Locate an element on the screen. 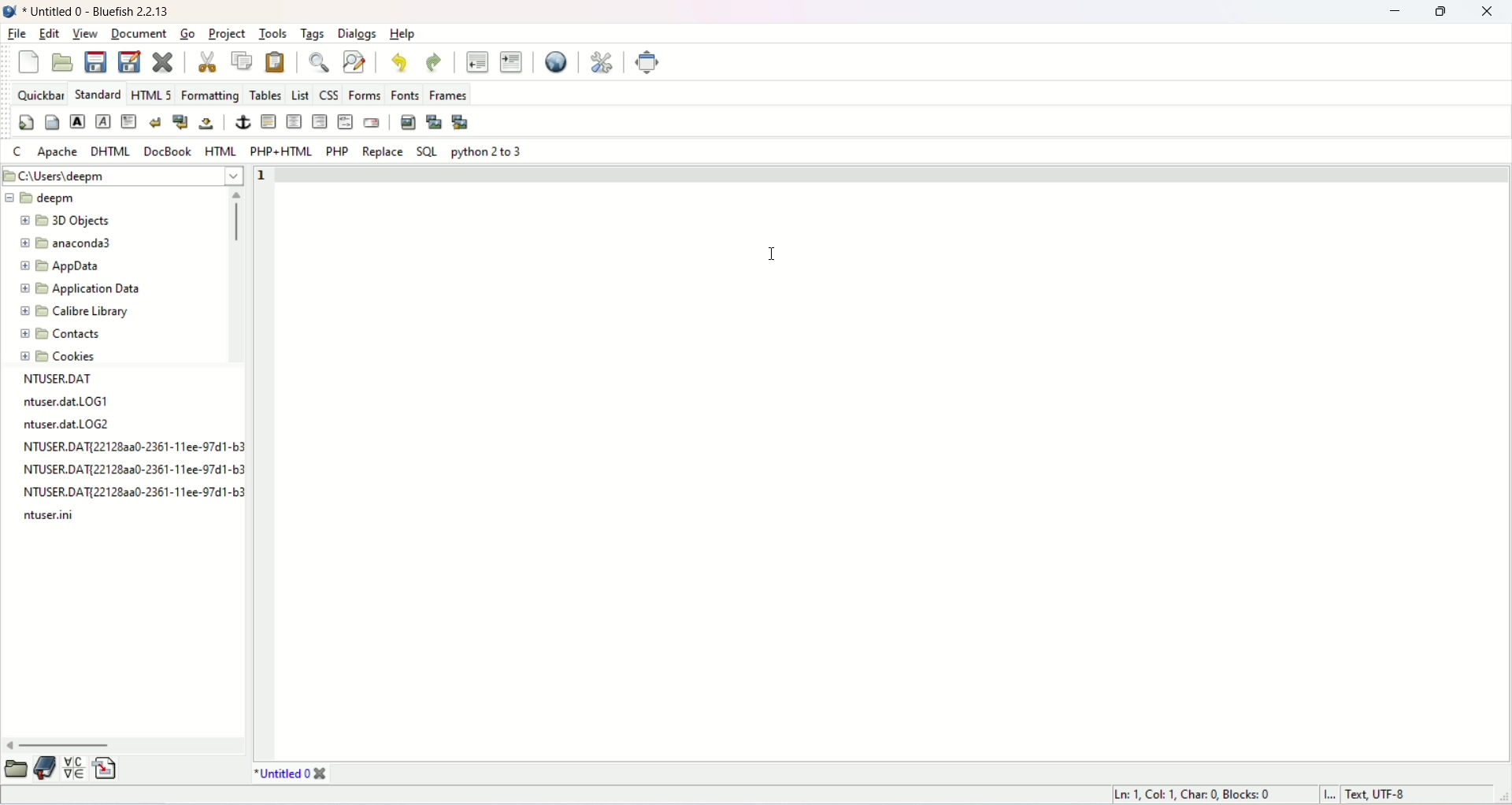  body is located at coordinates (51, 124).